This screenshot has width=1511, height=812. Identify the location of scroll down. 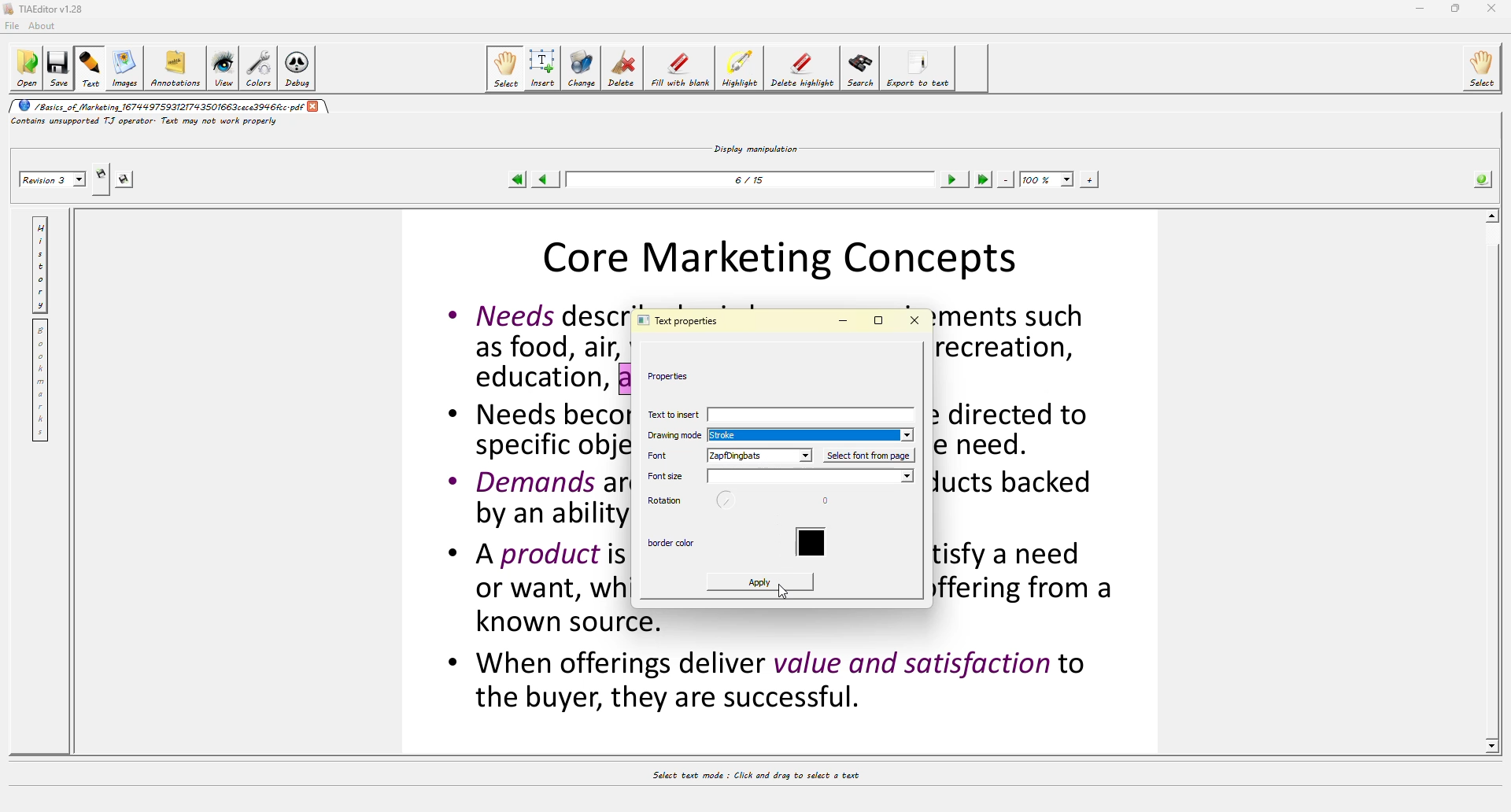
(1494, 746).